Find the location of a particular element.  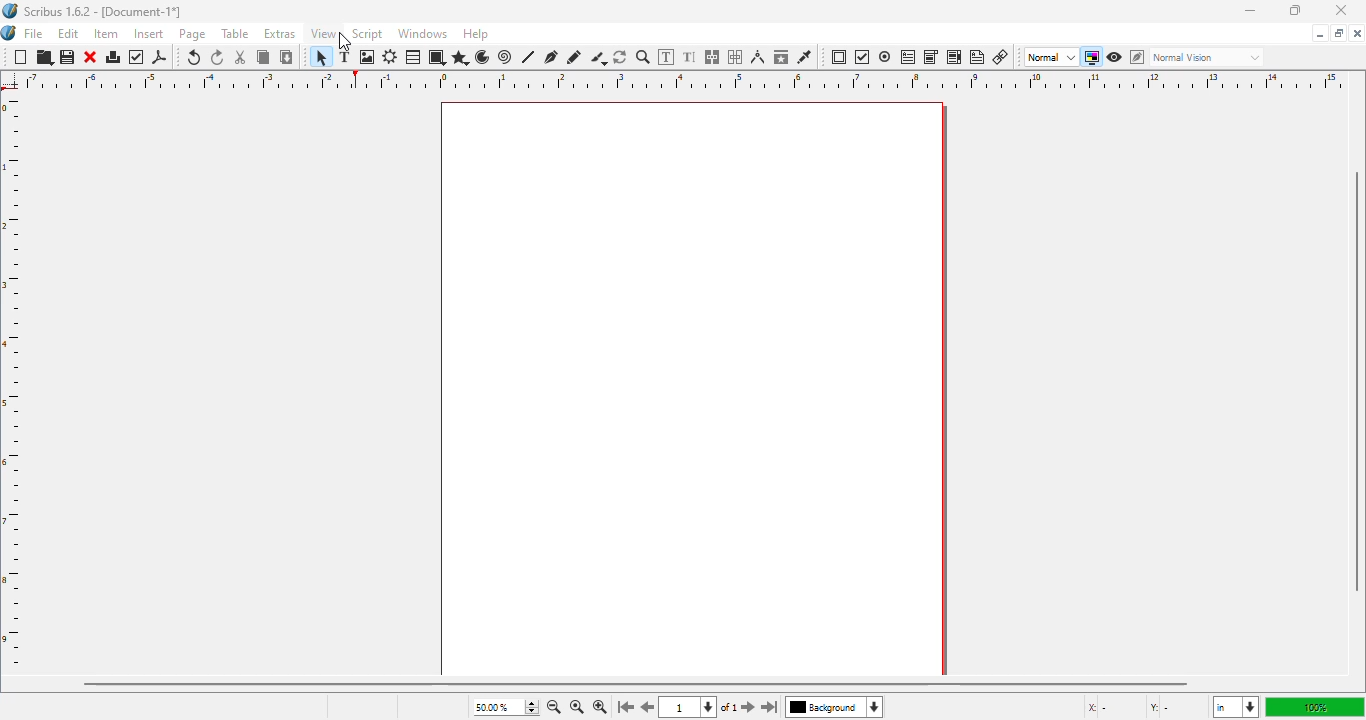

rotate item is located at coordinates (621, 57).